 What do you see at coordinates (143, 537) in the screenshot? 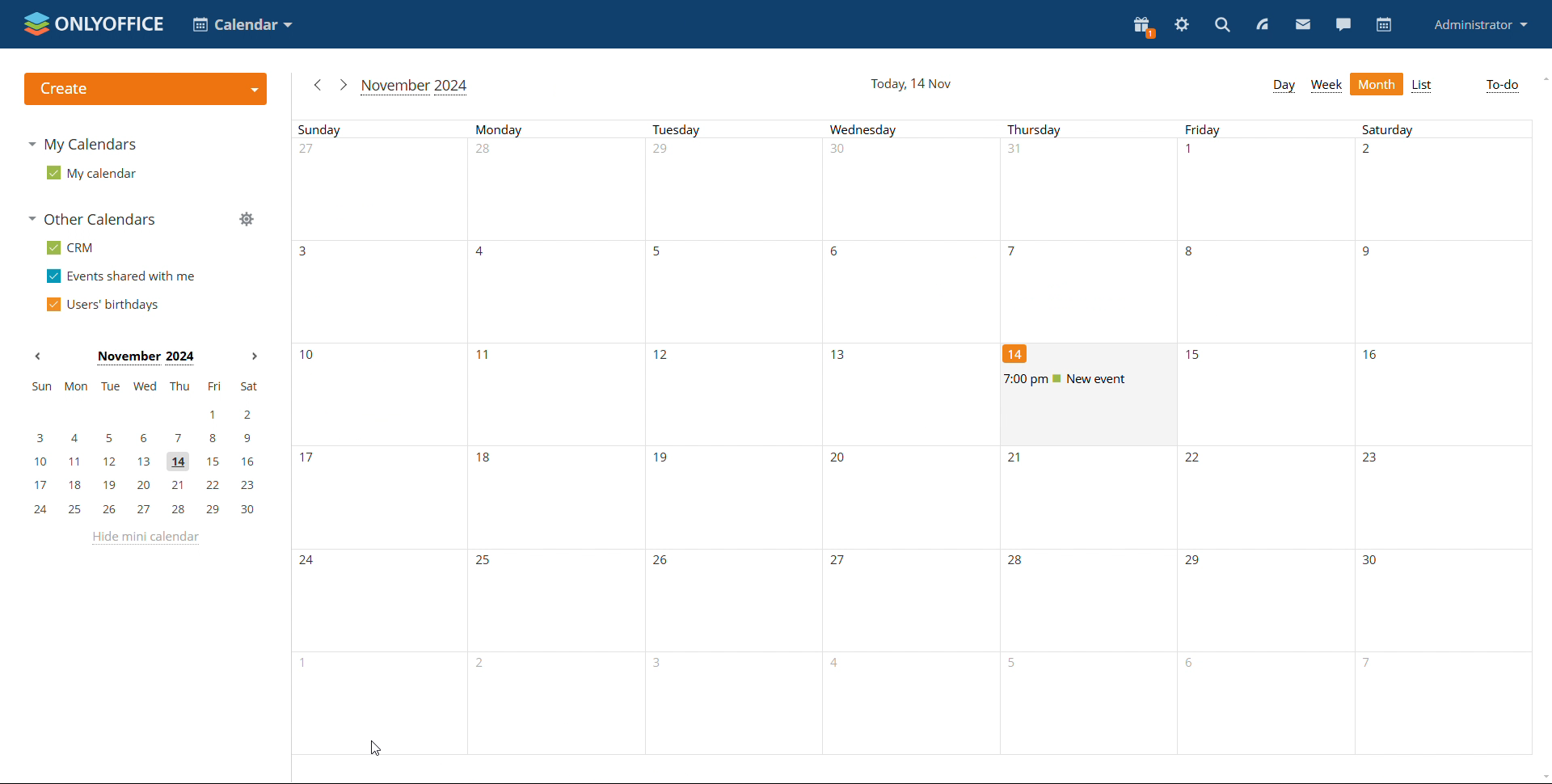
I see `hide mini calendar` at bounding box center [143, 537].